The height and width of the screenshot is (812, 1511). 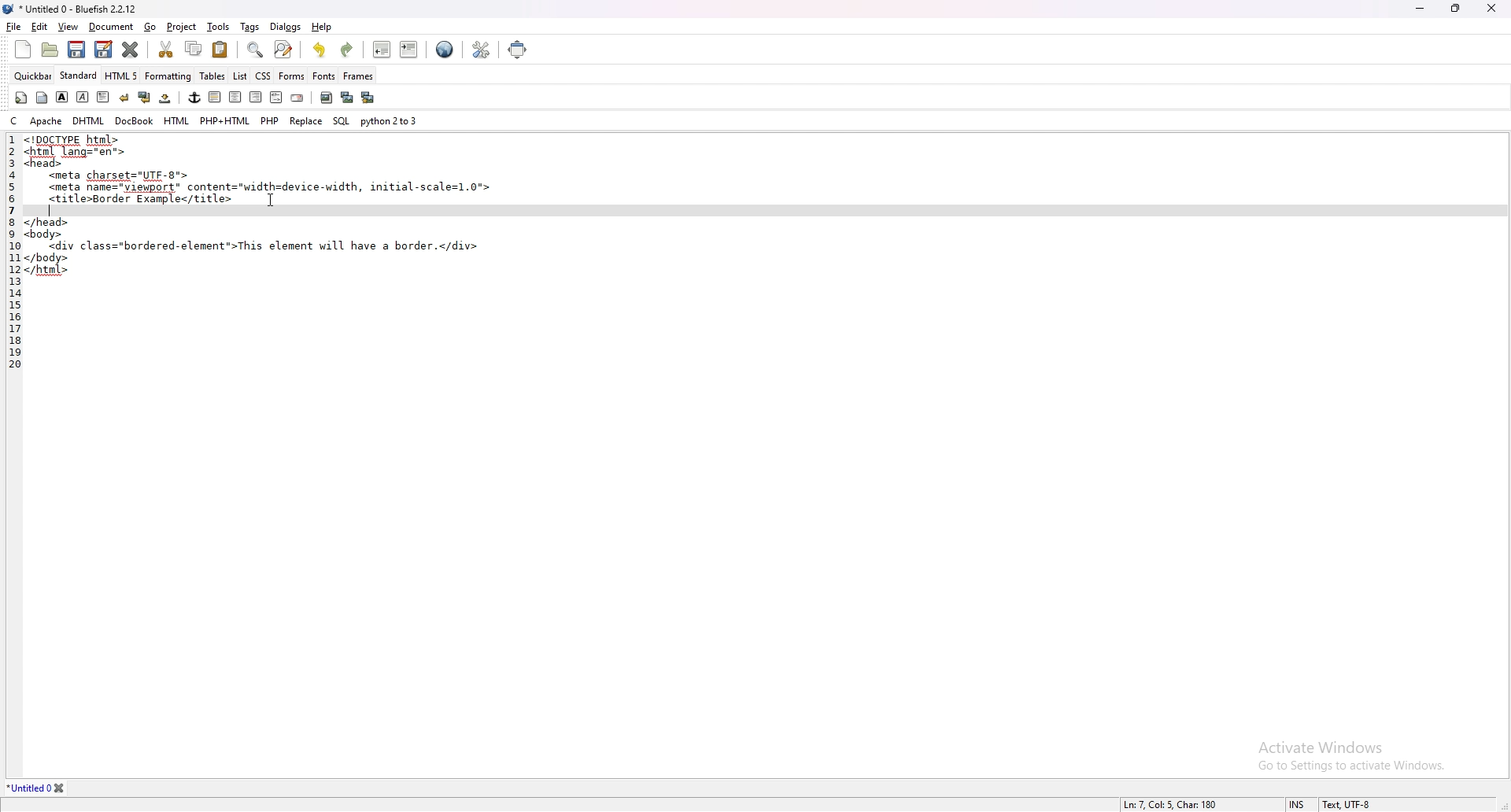 I want to click on css, so click(x=264, y=76).